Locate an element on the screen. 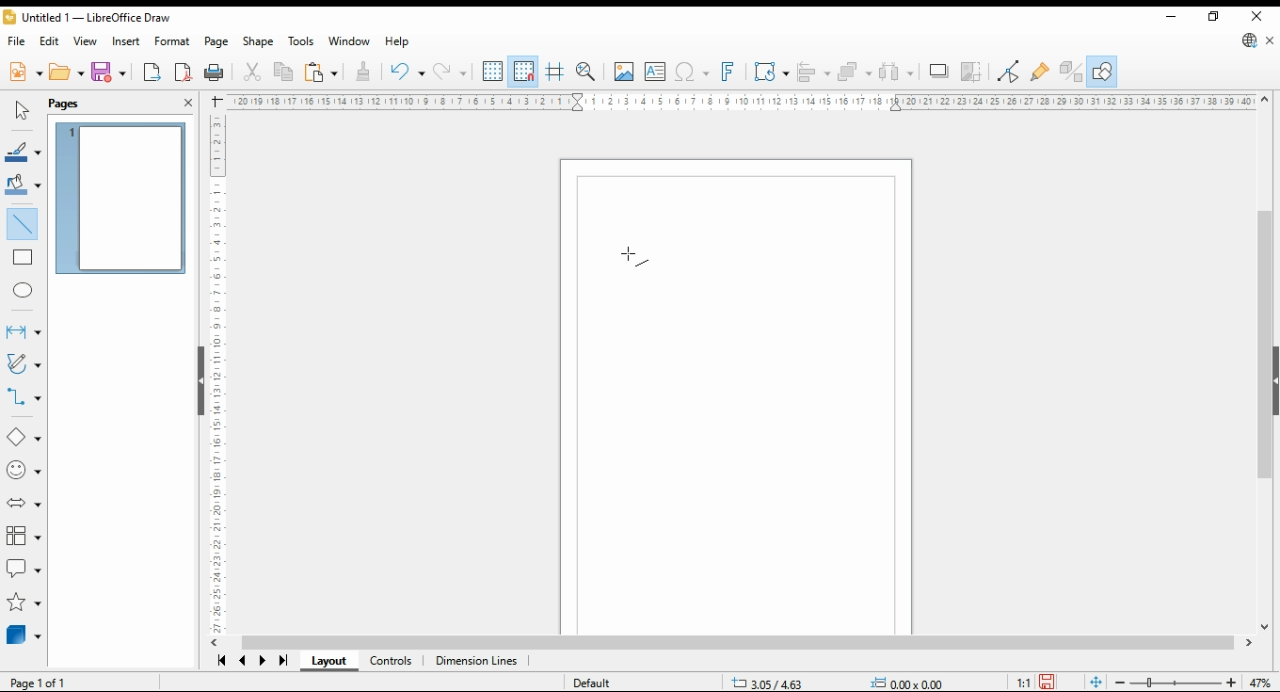 This screenshot has height=692, width=1280. scroll bar is located at coordinates (1259, 361).